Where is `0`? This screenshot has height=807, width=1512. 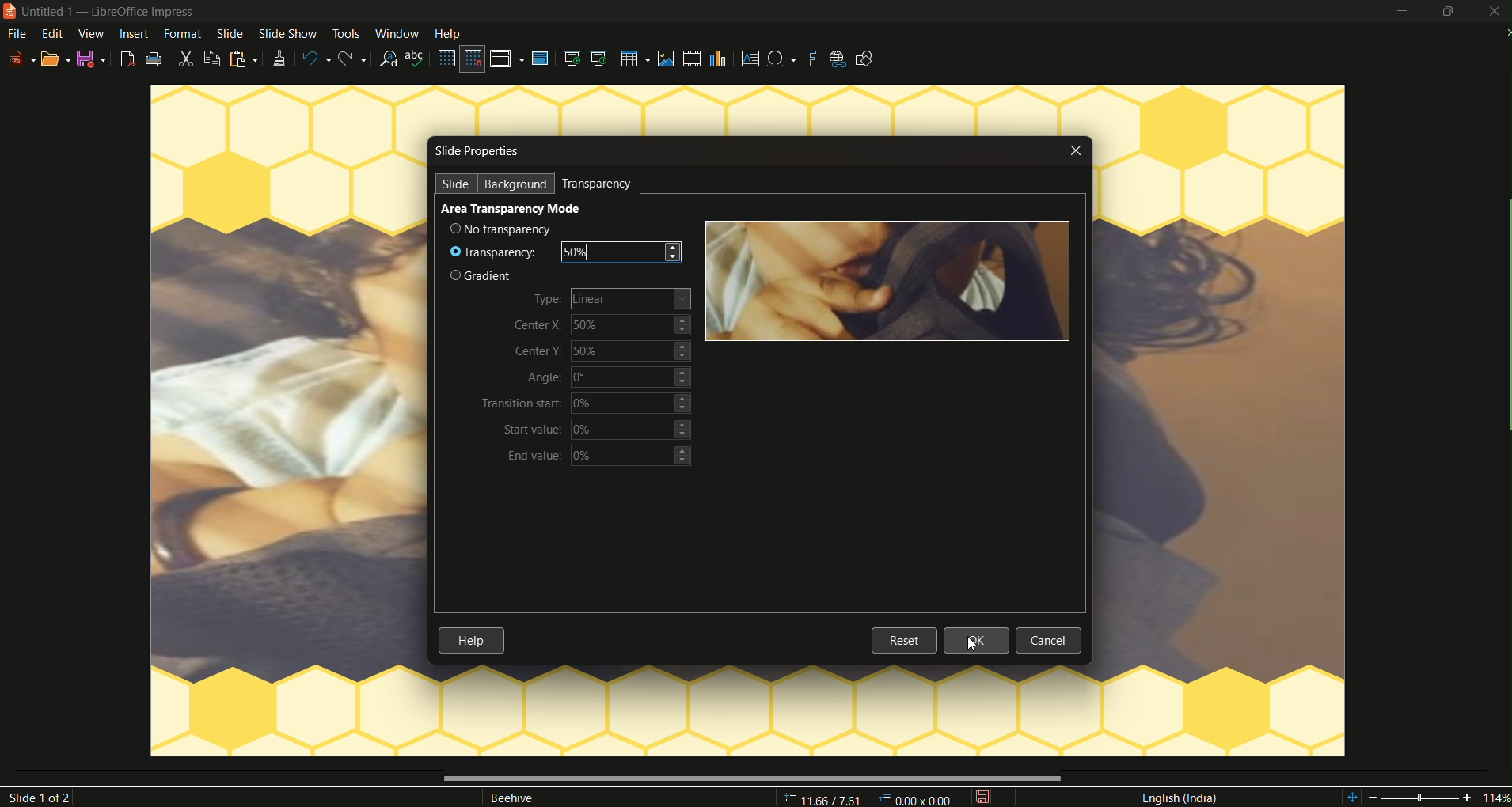
0 is located at coordinates (632, 377).